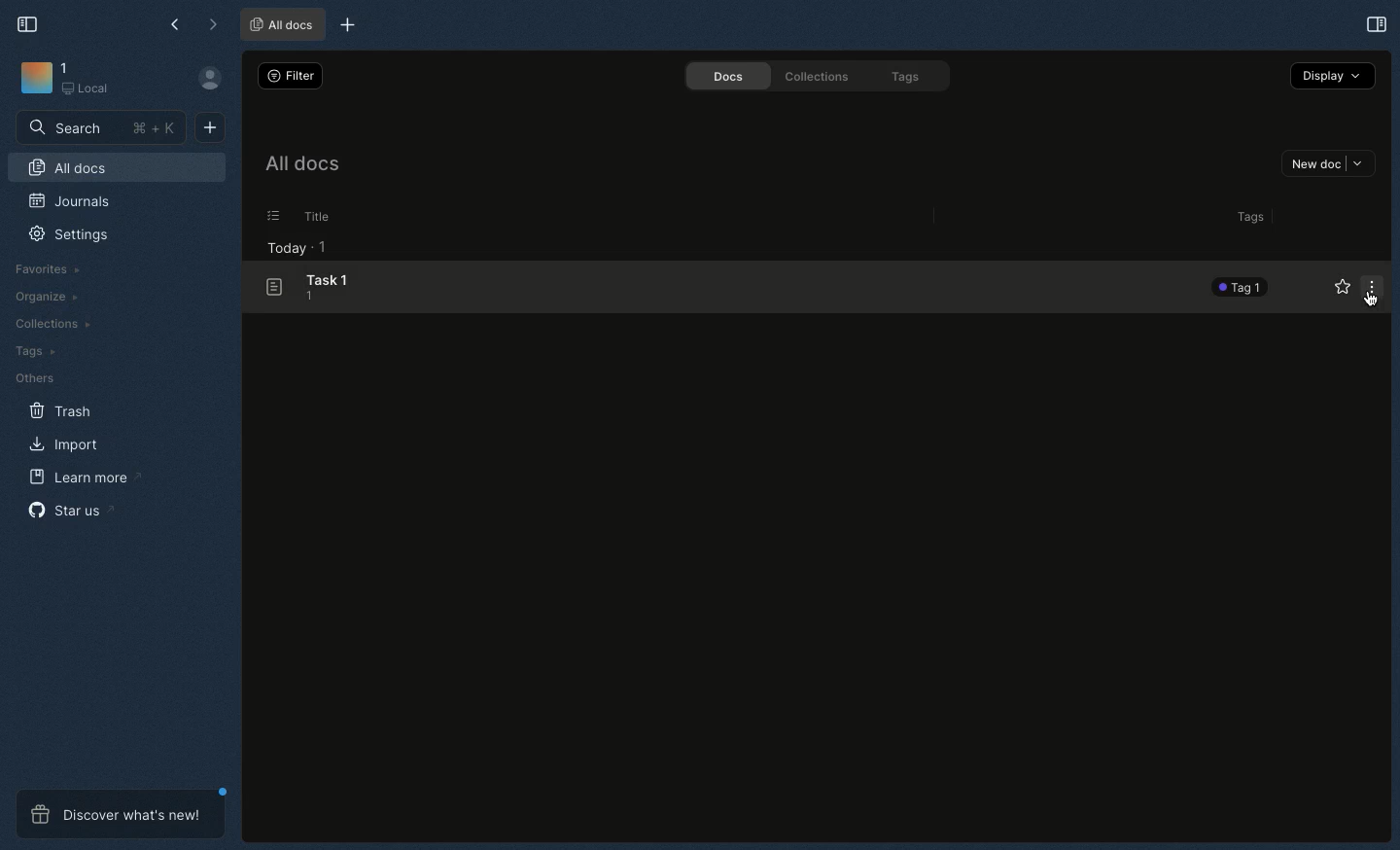  Describe the element at coordinates (61, 443) in the screenshot. I see `Import` at that location.